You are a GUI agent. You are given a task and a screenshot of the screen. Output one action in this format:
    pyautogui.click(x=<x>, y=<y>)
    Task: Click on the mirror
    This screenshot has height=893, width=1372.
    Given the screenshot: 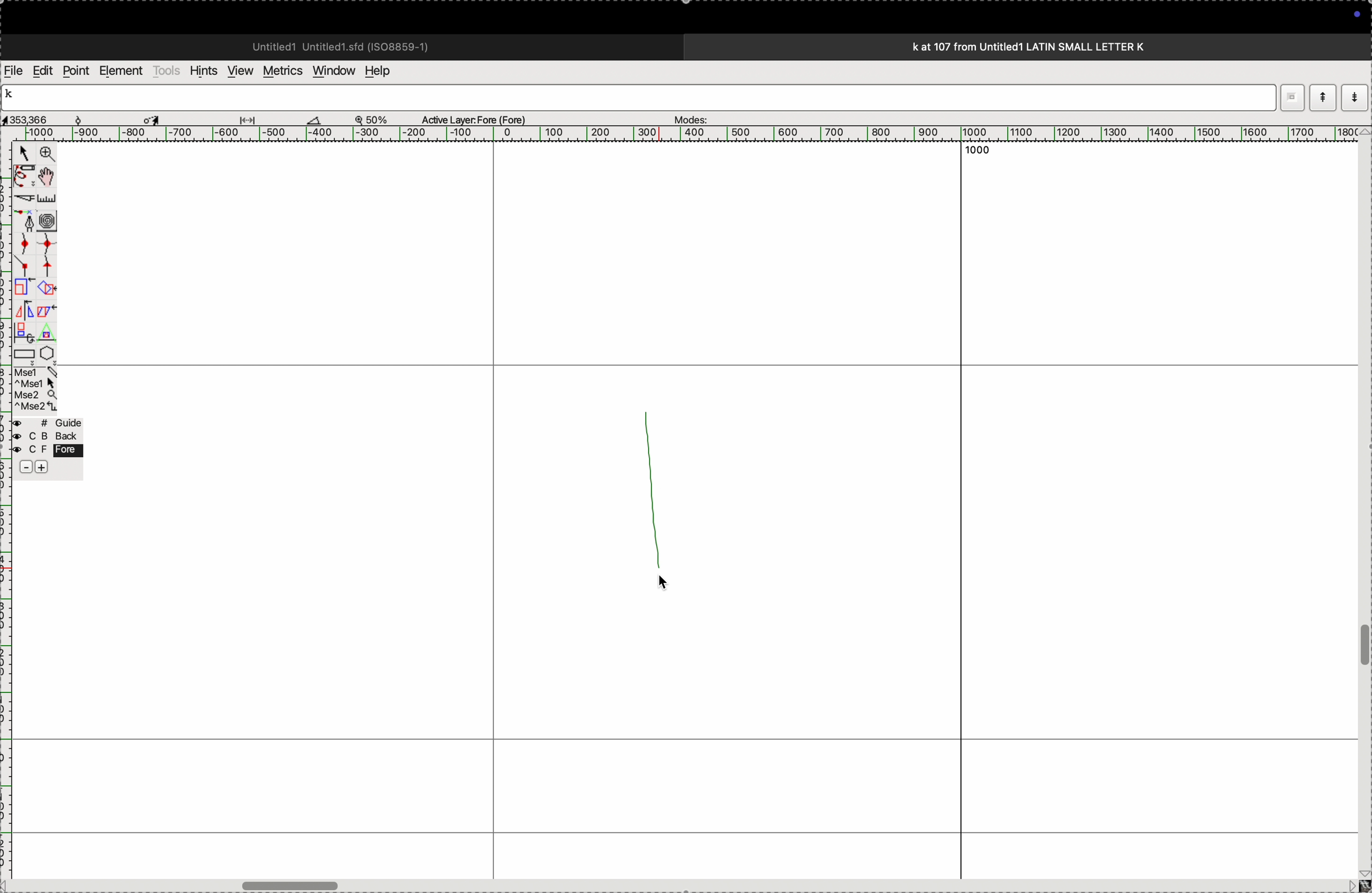 What is the action you would take?
    pyautogui.click(x=24, y=320)
    